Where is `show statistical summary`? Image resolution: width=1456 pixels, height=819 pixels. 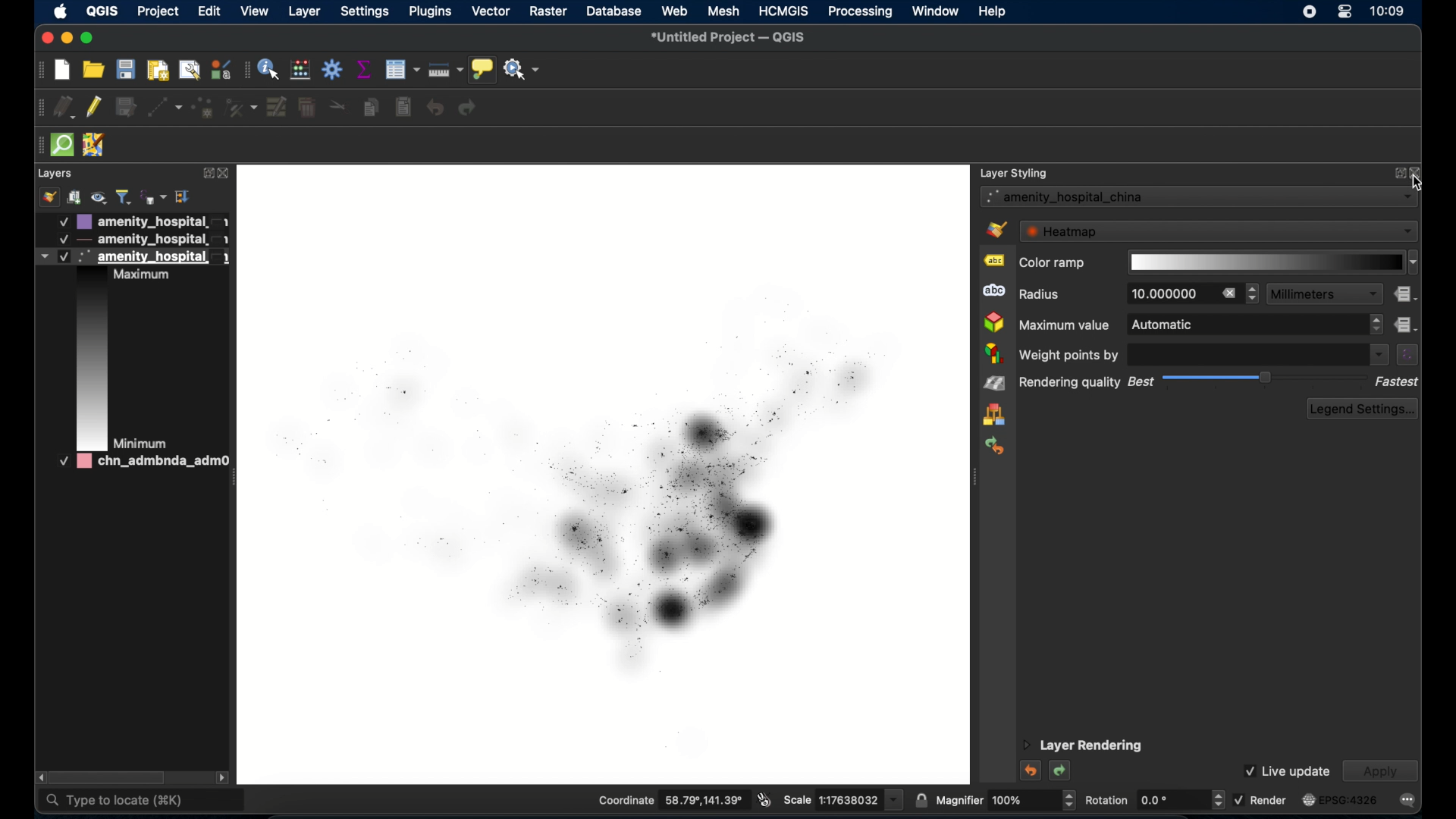
show statistical summary is located at coordinates (365, 70).